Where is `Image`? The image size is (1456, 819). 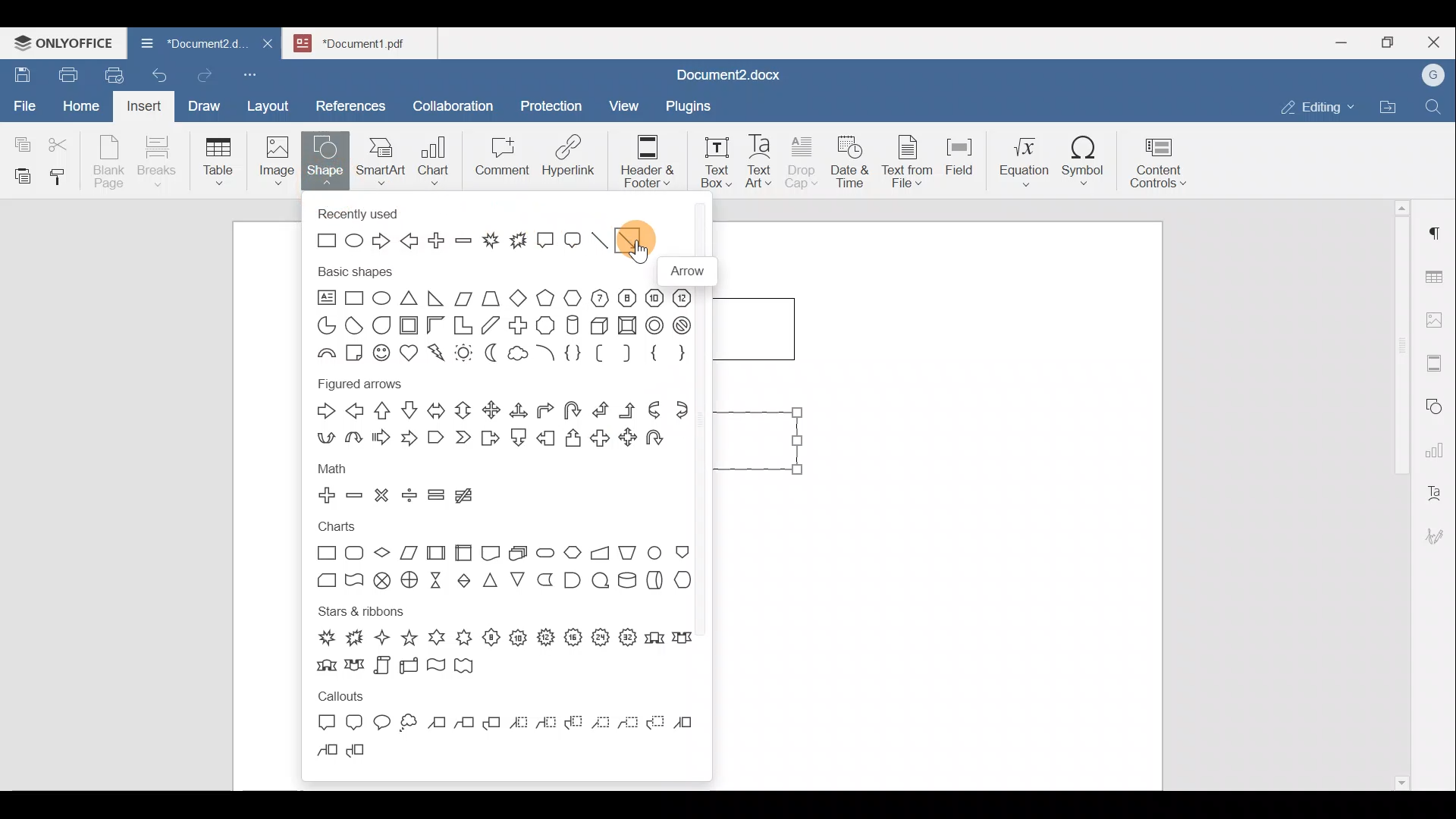 Image is located at coordinates (281, 155).